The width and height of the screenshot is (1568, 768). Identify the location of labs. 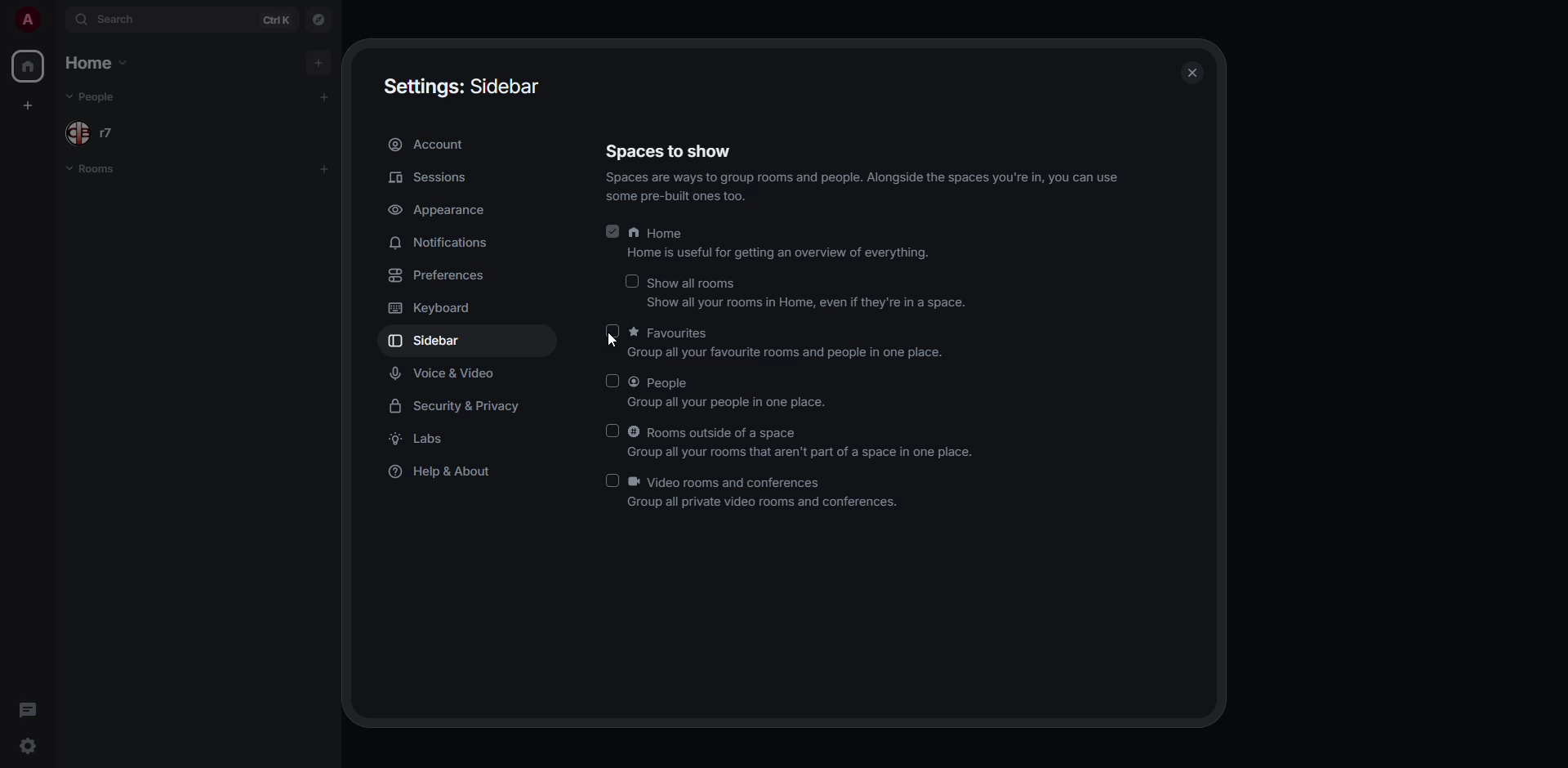
(422, 441).